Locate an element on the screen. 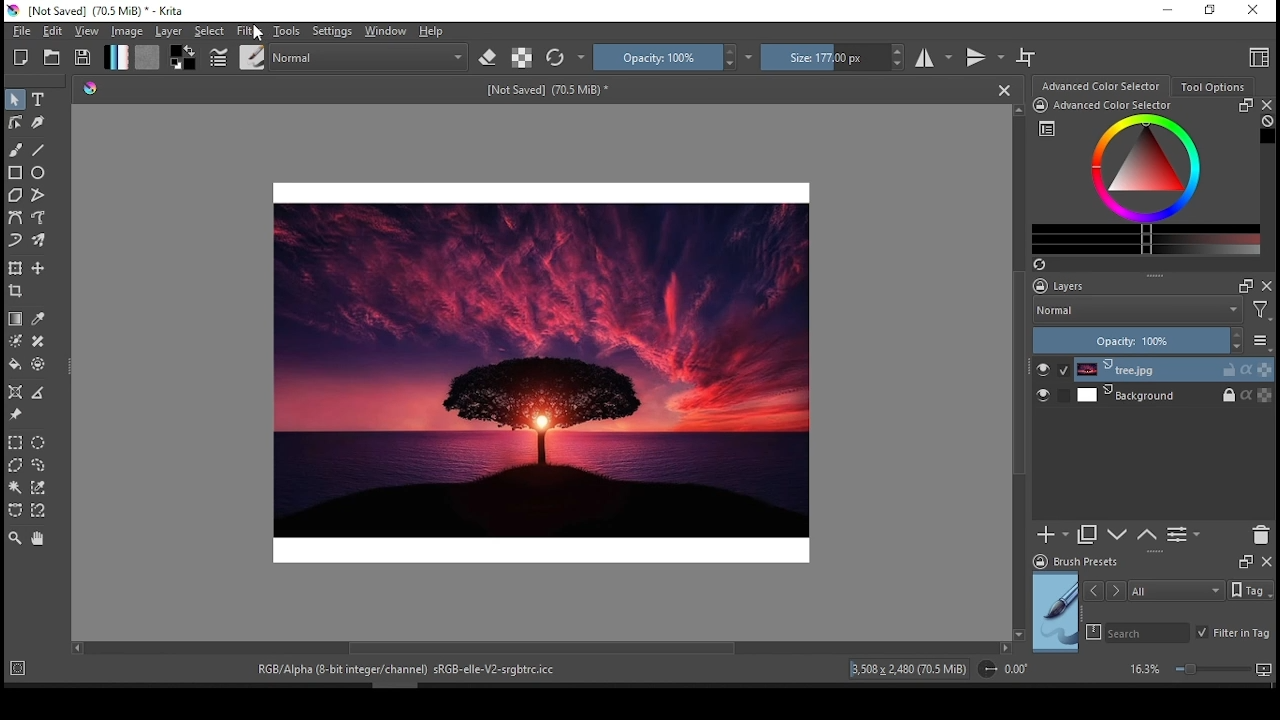 Image resolution: width=1280 pixels, height=720 pixels. Cursor is located at coordinates (258, 34).